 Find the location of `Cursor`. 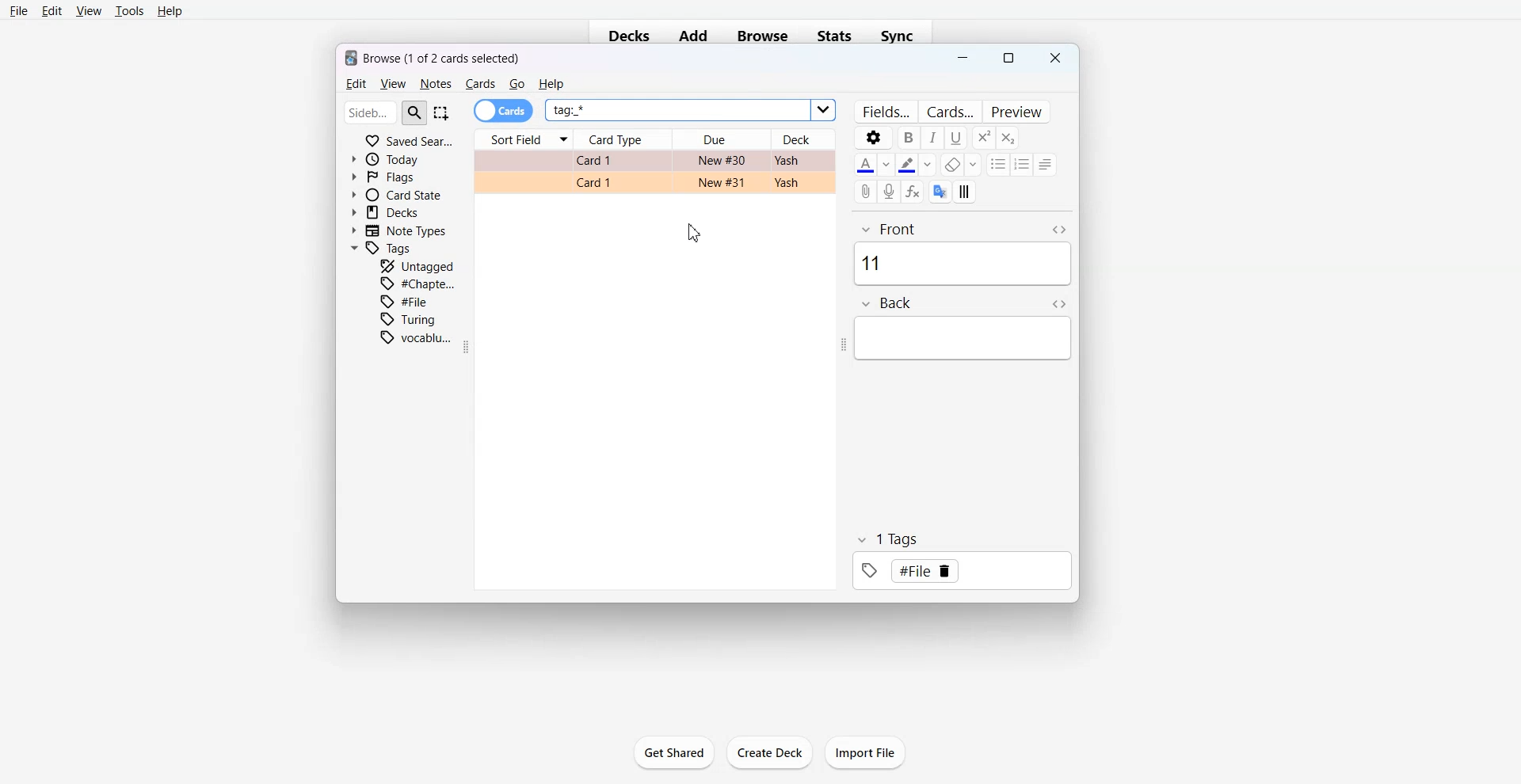

Cursor is located at coordinates (695, 231).